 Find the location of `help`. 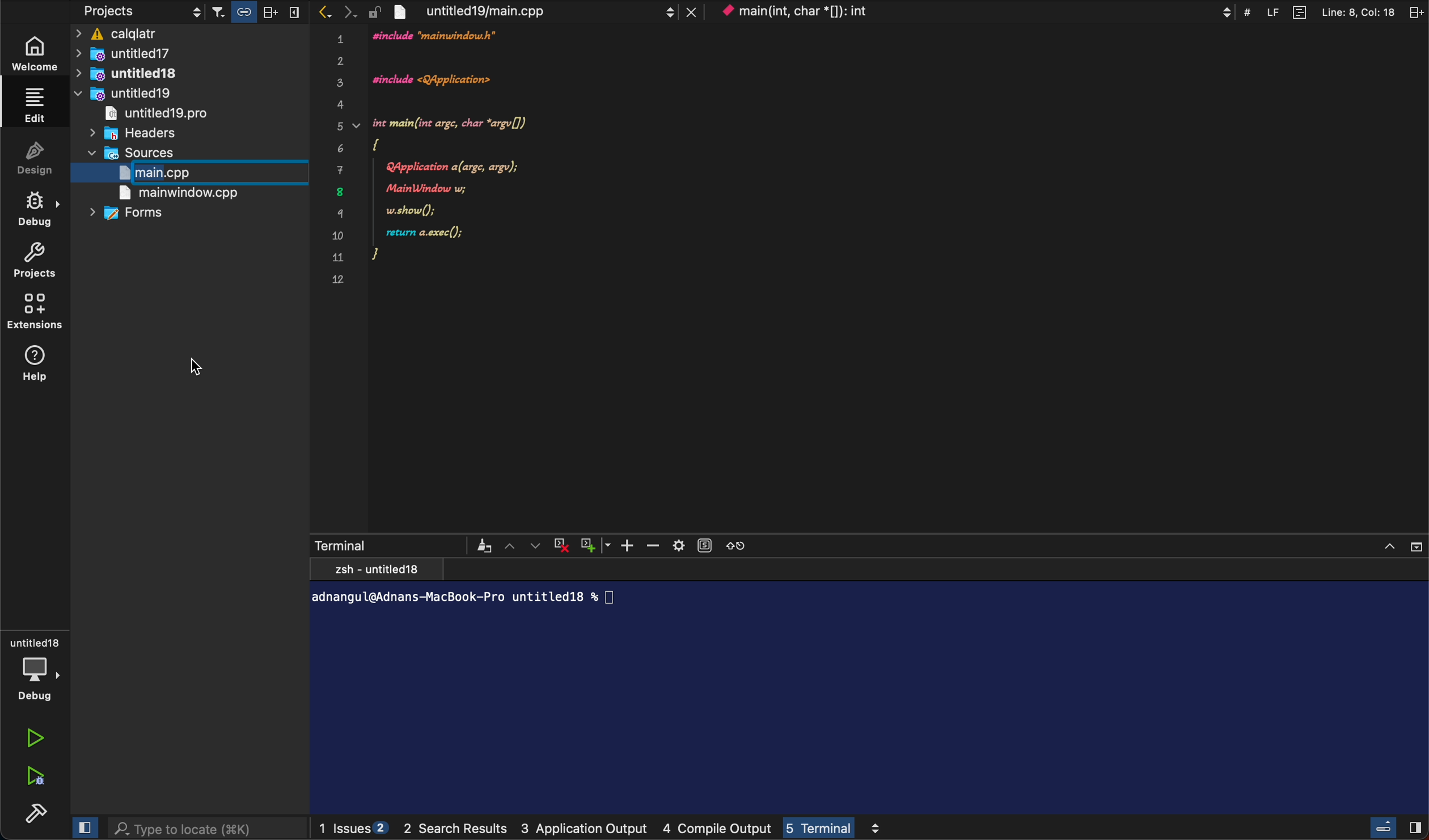

help is located at coordinates (41, 366).